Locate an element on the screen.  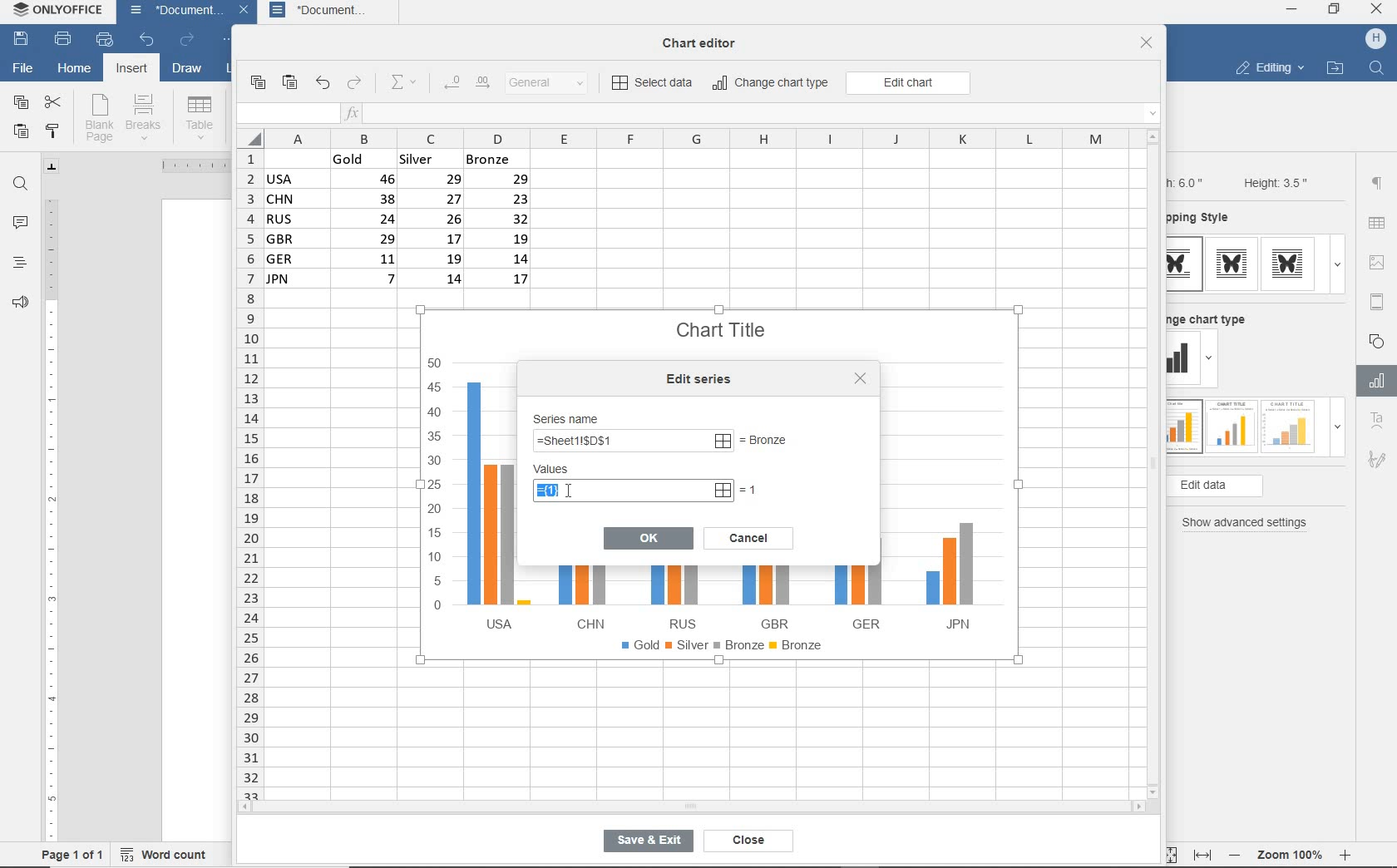
insert is located at coordinates (130, 70).